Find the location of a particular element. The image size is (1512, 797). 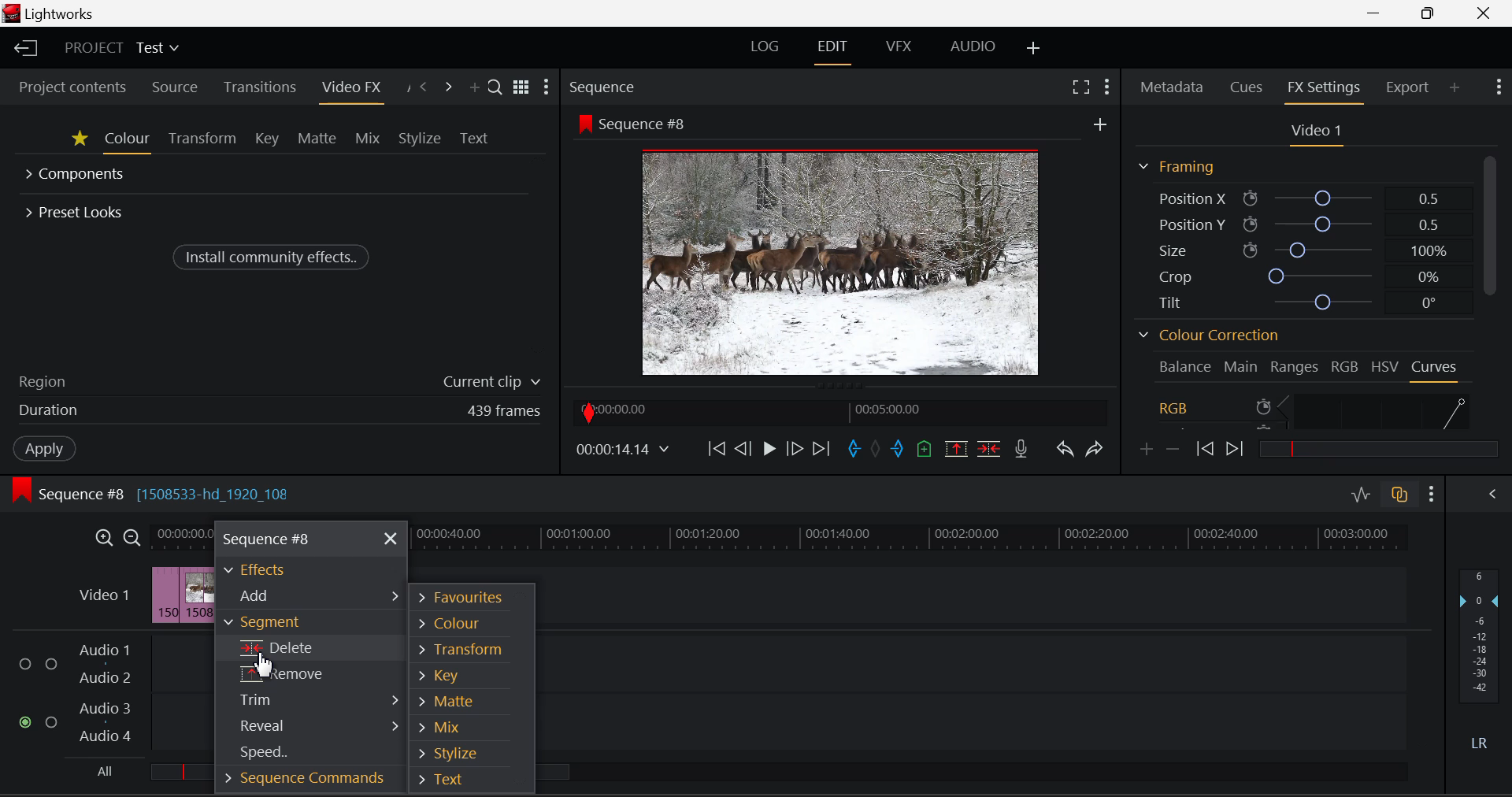

Search is located at coordinates (495, 85).